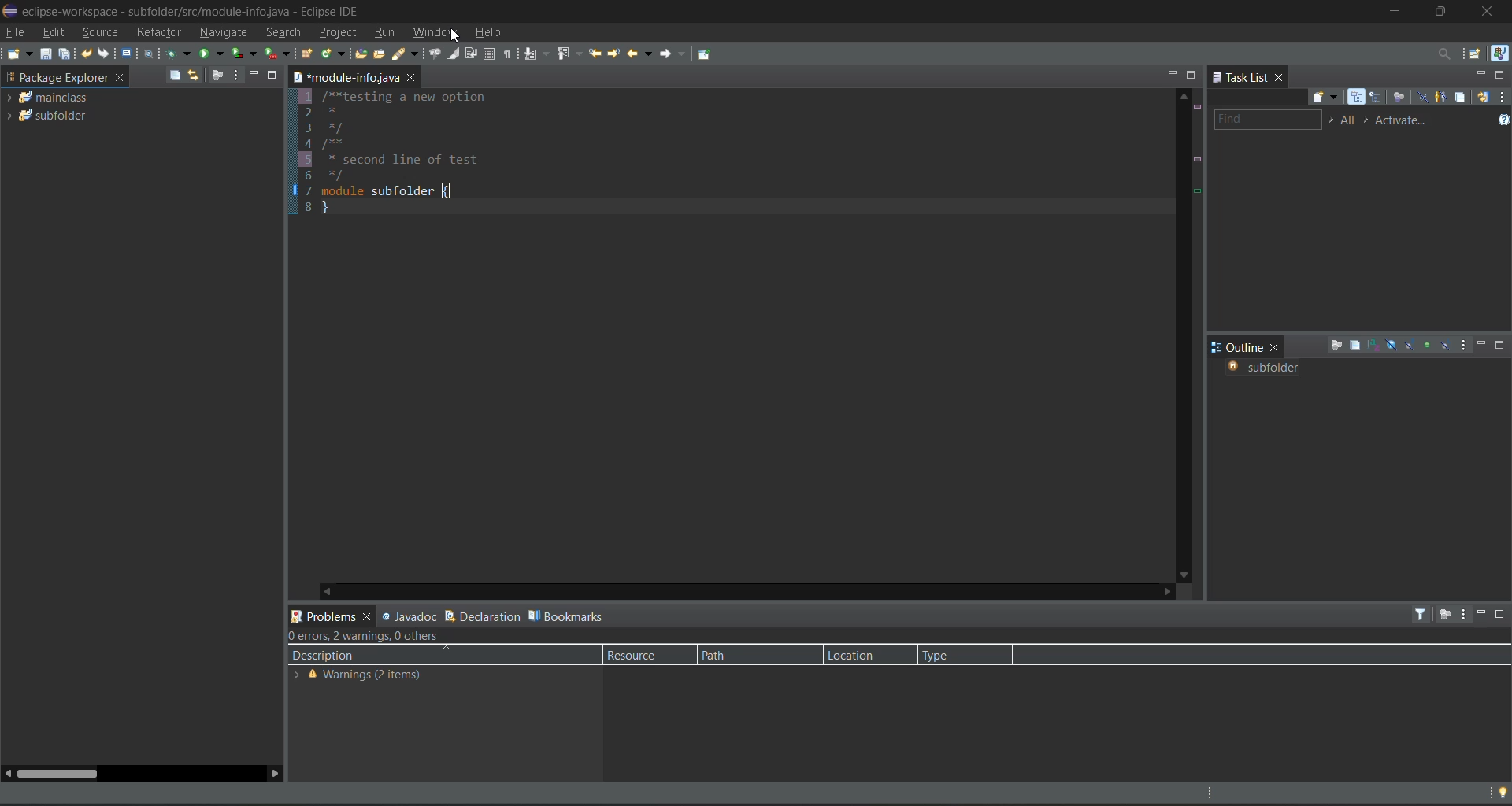 Image resolution: width=1512 pixels, height=806 pixels. What do you see at coordinates (1501, 55) in the screenshot?
I see `java` at bounding box center [1501, 55].